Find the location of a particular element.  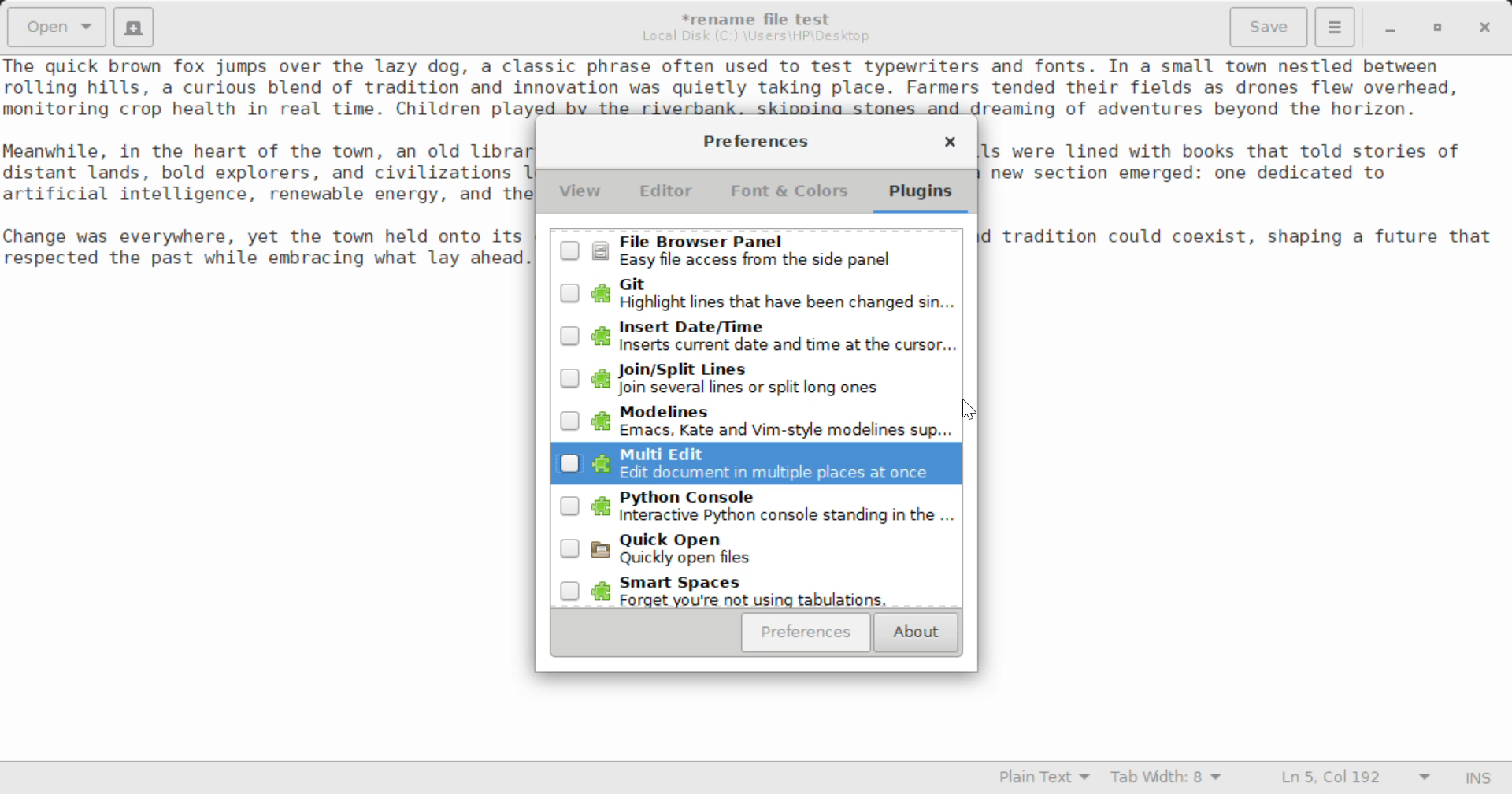

Create New Document is located at coordinates (132, 25).